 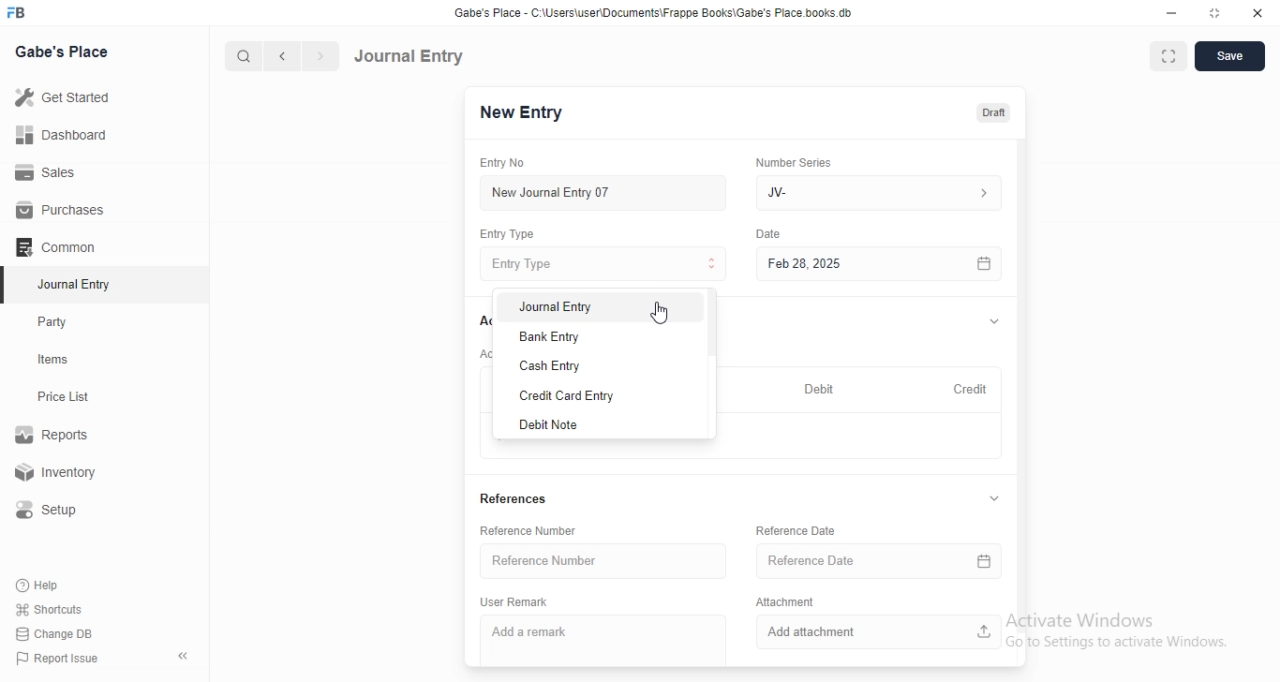 What do you see at coordinates (515, 603) in the screenshot?
I see `User Remark` at bounding box center [515, 603].